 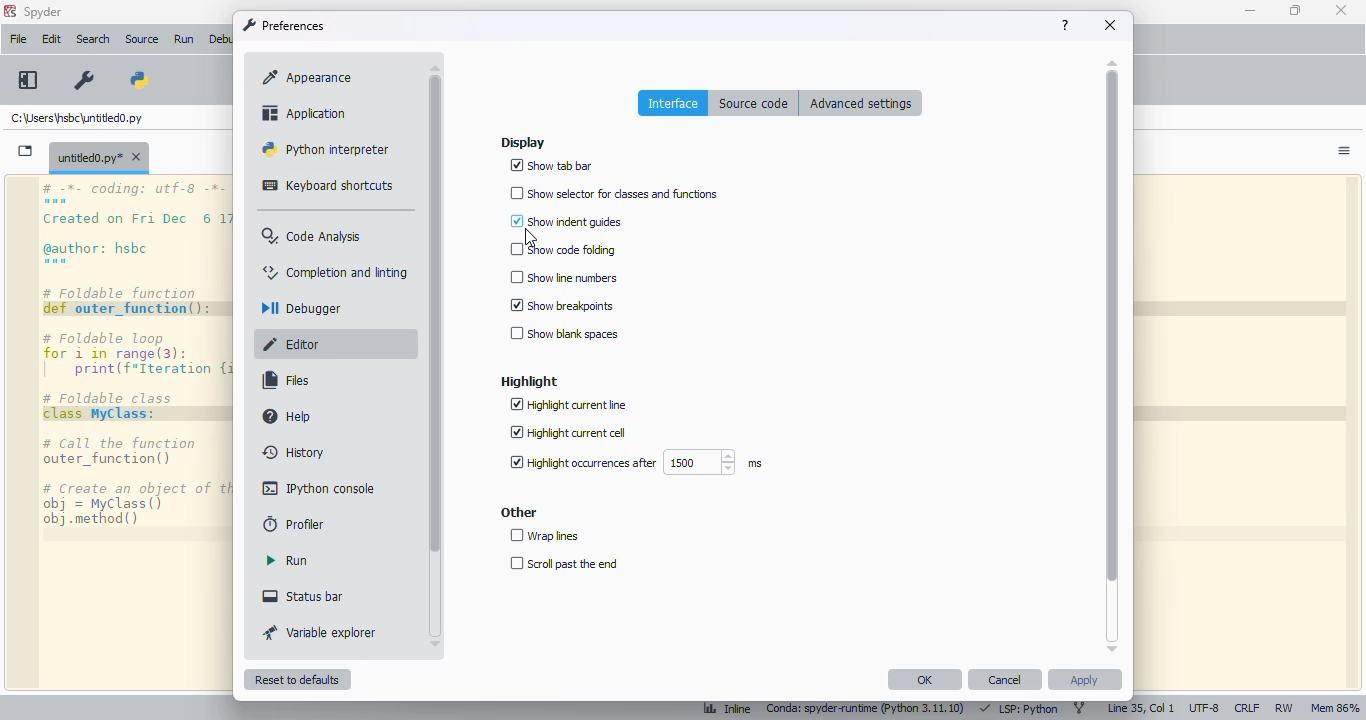 I want to click on highlight, so click(x=529, y=382).